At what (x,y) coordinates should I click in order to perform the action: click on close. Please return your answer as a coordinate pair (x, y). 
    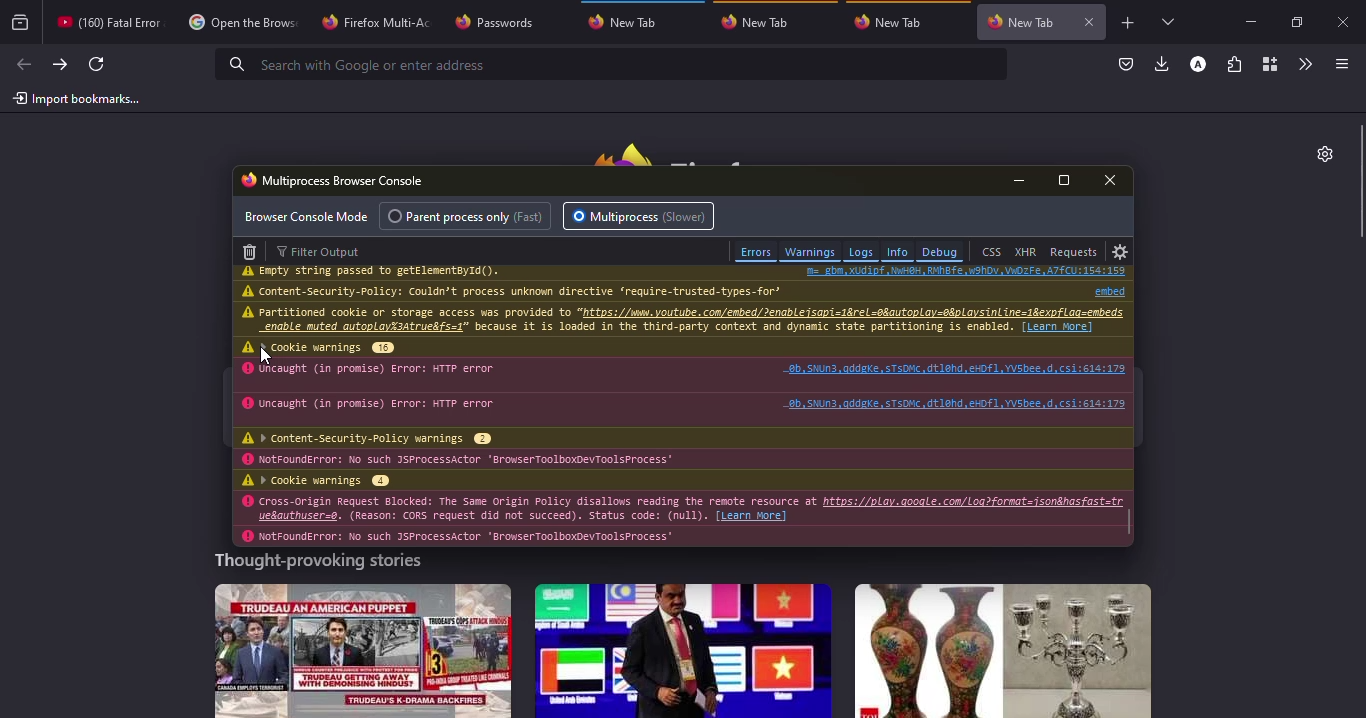
    Looking at the image, I should click on (1114, 180).